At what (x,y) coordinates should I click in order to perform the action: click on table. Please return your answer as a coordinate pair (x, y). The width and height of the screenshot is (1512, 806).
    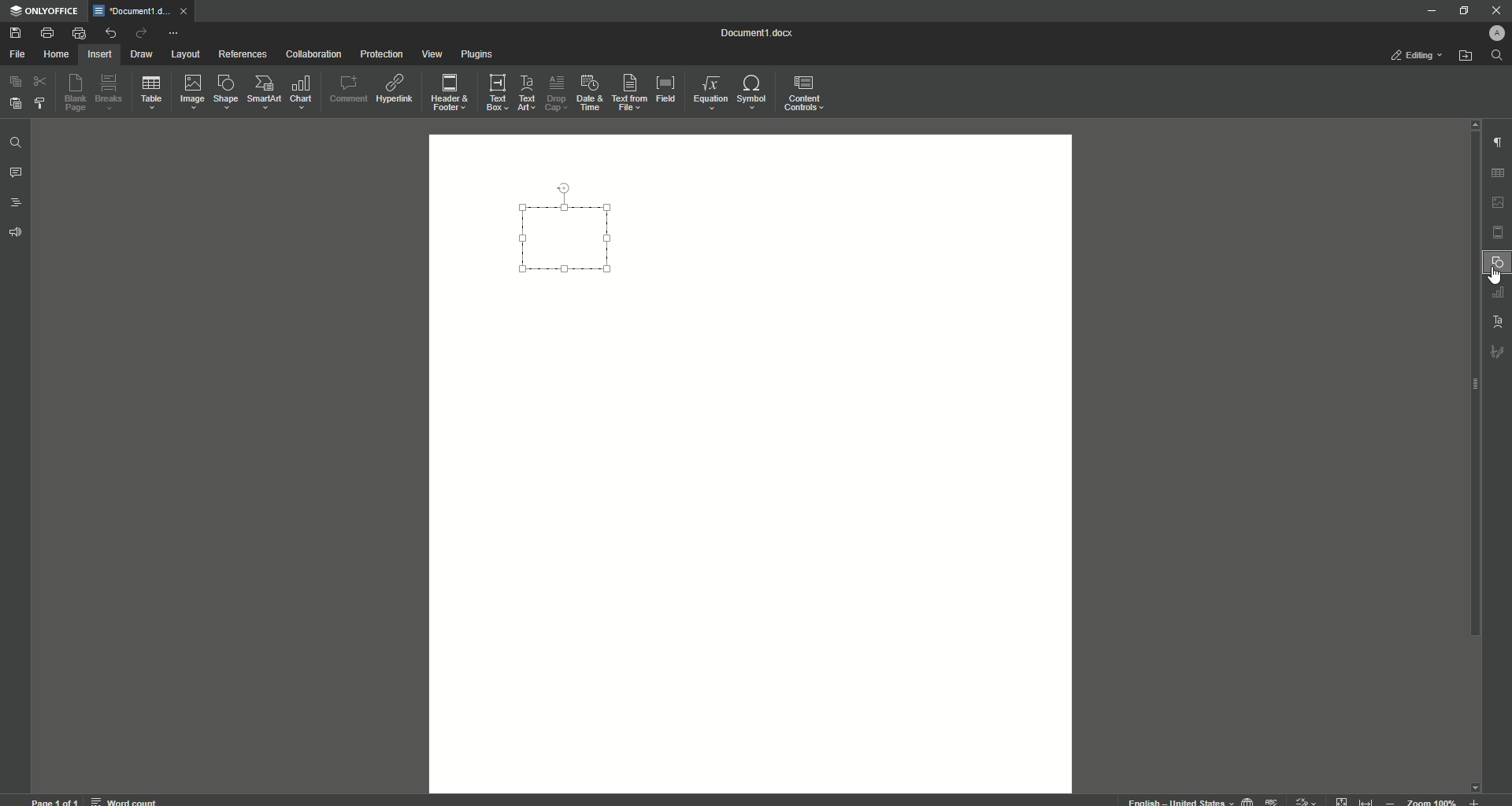
    Looking at the image, I should click on (1496, 293).